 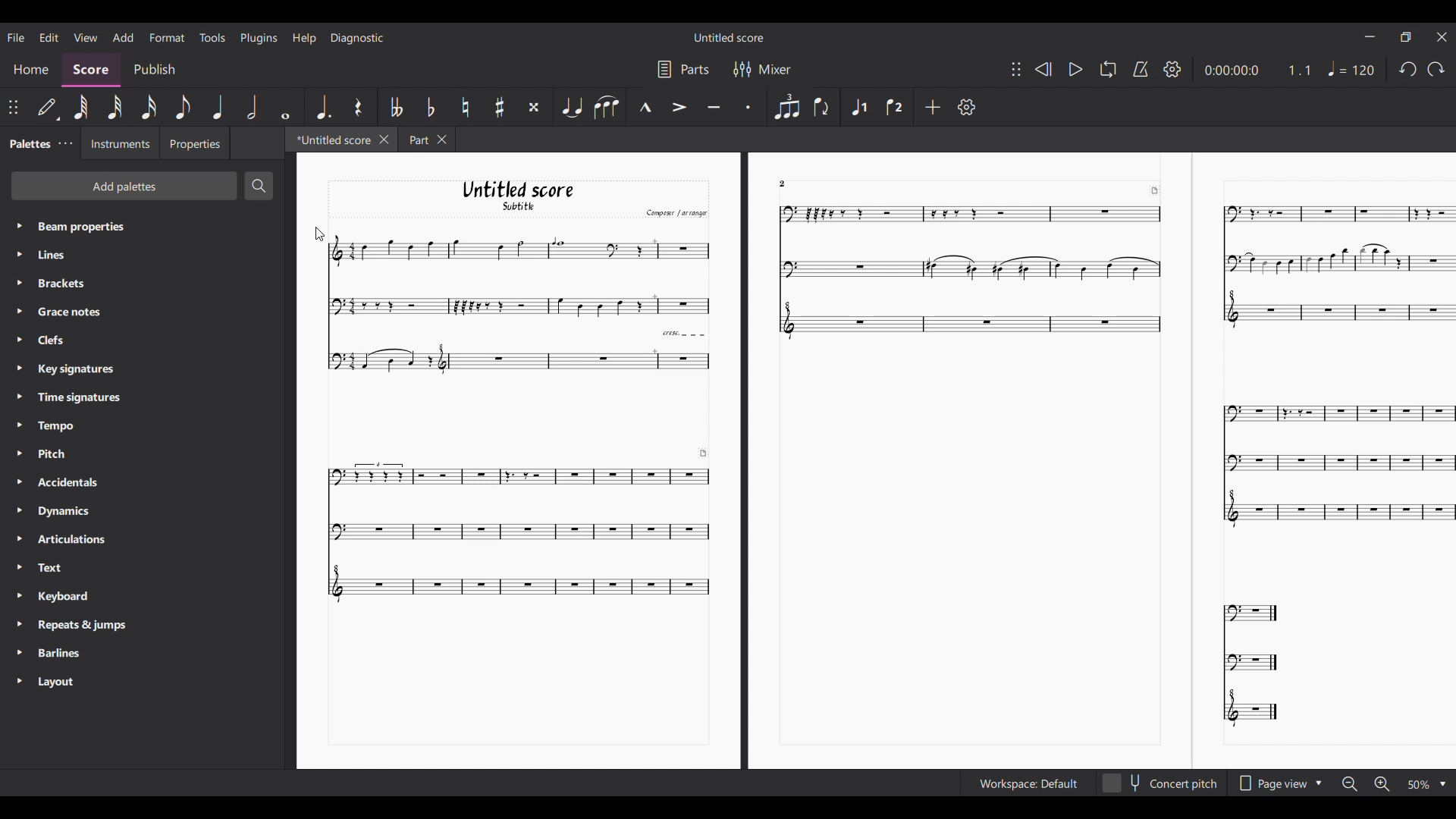 What do you see at coordinates (116, 107) in the screenshot?
I see `32nd note` at bounding box center [116, 107].